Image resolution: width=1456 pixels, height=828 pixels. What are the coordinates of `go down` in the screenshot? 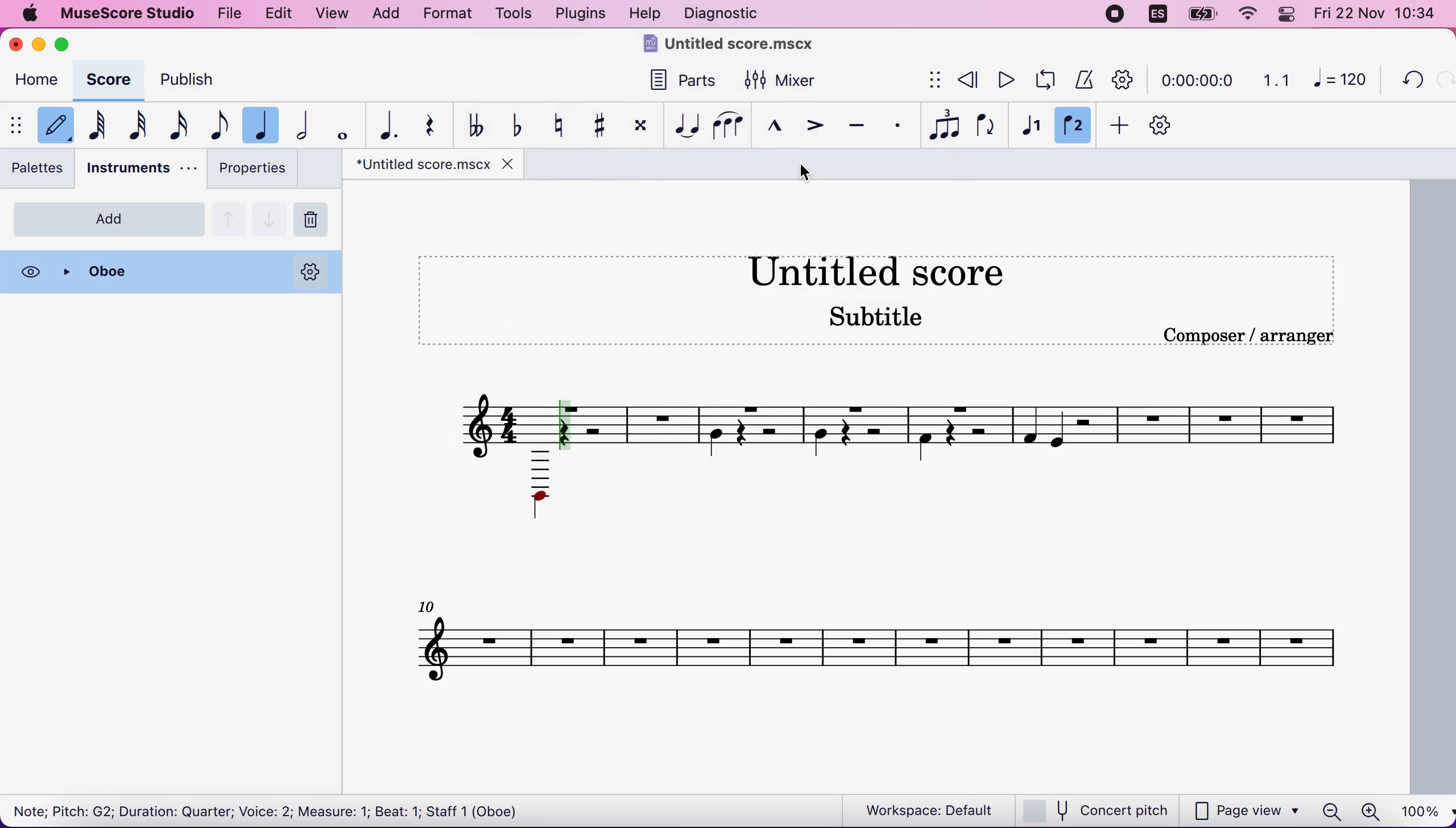 It's located at (270, 218).